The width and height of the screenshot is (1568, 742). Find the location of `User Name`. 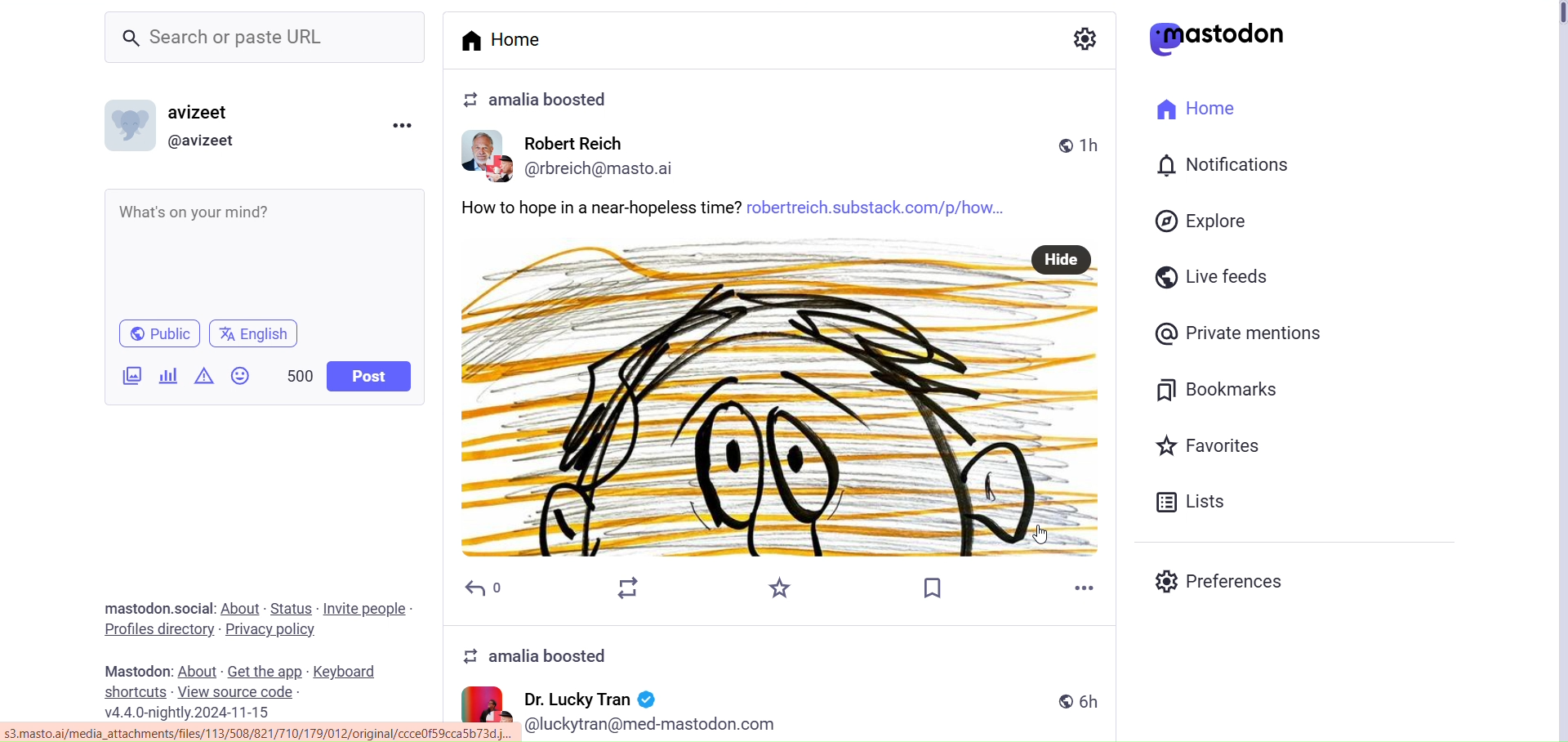

User Name is located at coordinates (198, 110).